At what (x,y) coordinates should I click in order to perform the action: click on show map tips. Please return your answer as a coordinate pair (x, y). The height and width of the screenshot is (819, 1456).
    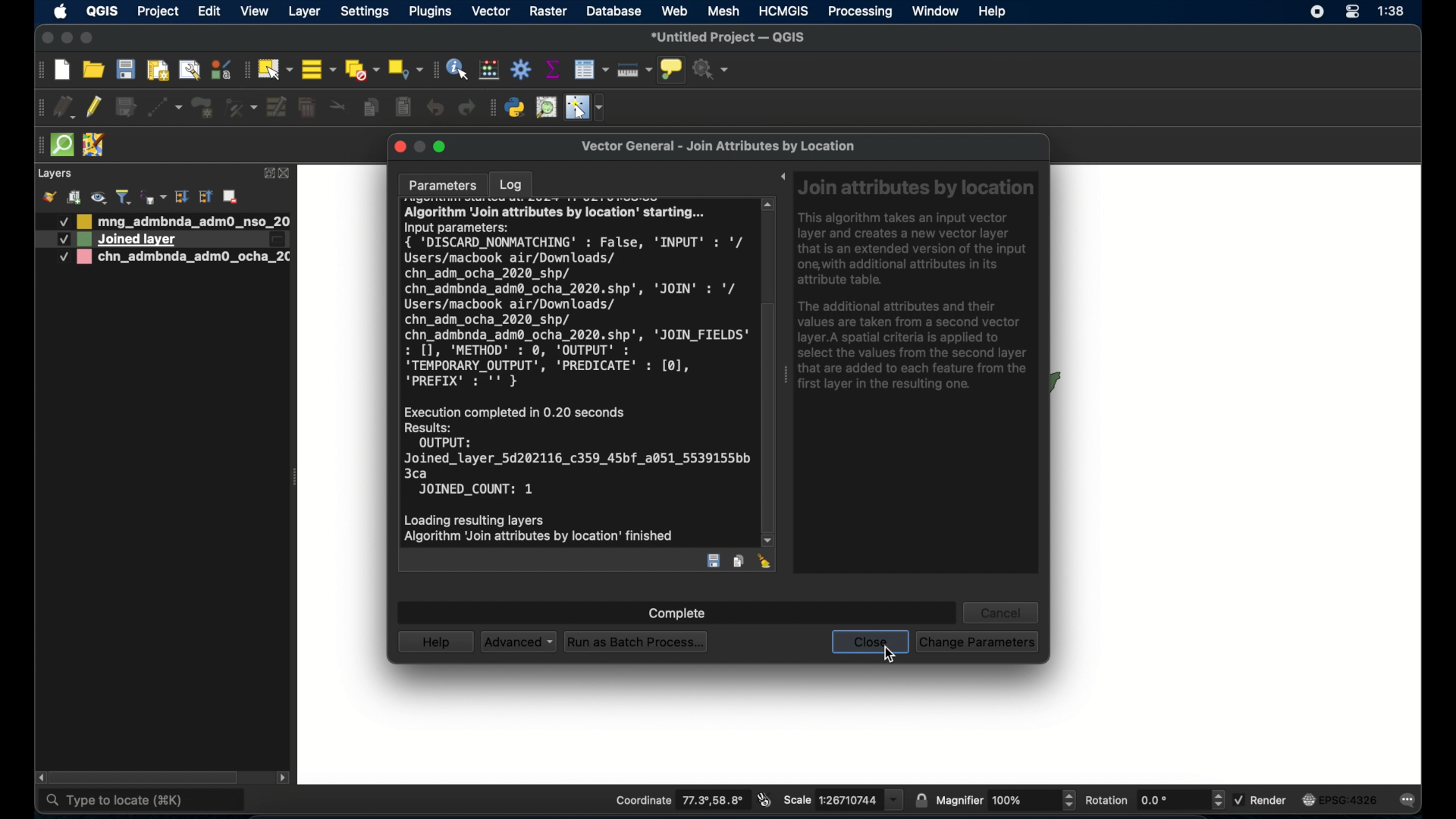
    Looking at the image, I should click on (671, 69).